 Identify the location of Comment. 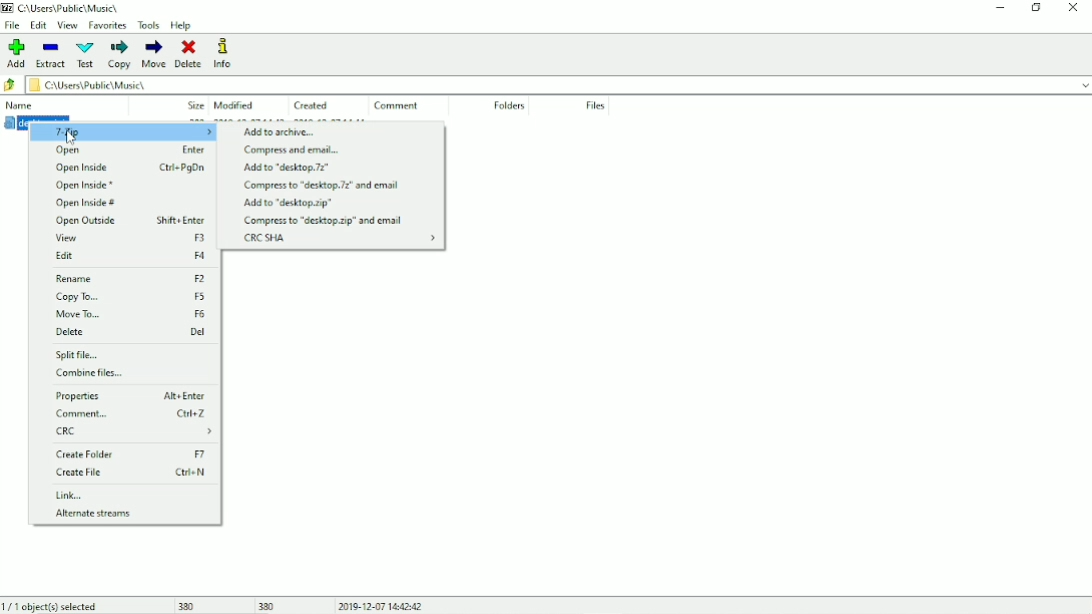
(130, 413).